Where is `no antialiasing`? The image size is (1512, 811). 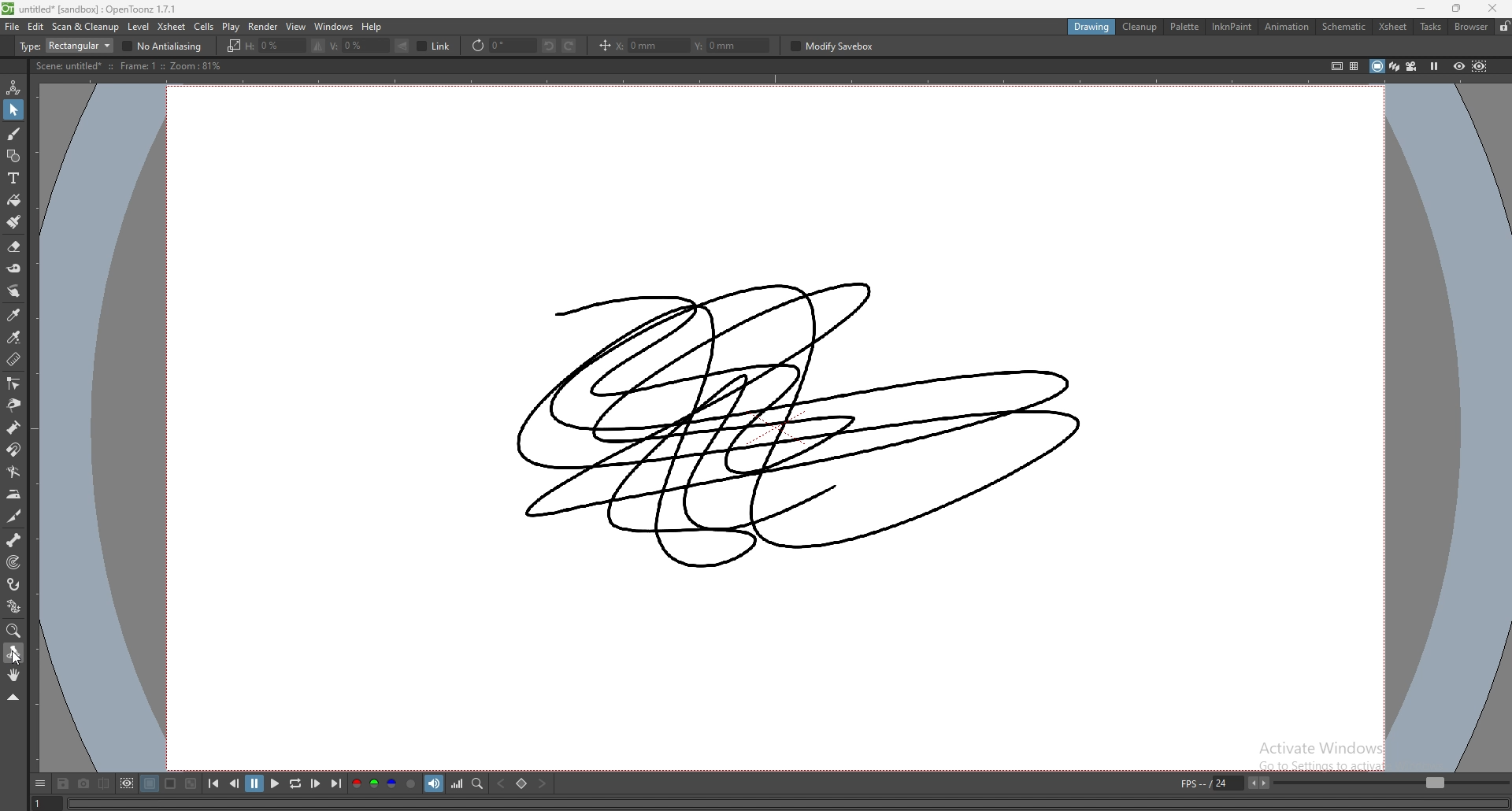
no antialiasing is located at coordinates (163, 46).